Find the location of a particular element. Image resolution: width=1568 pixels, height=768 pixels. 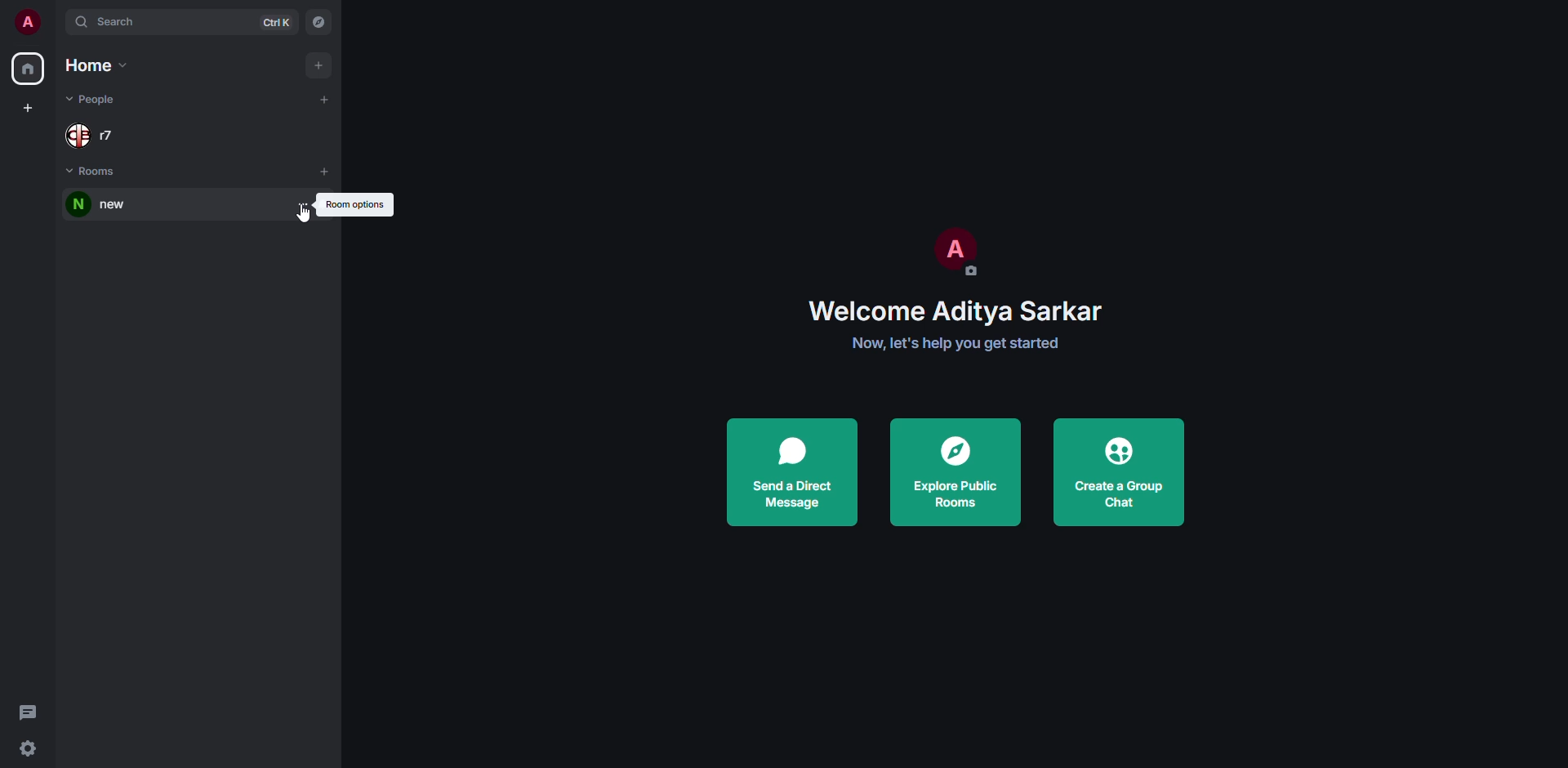

explore public rooms is located at coordinates (954, 473).